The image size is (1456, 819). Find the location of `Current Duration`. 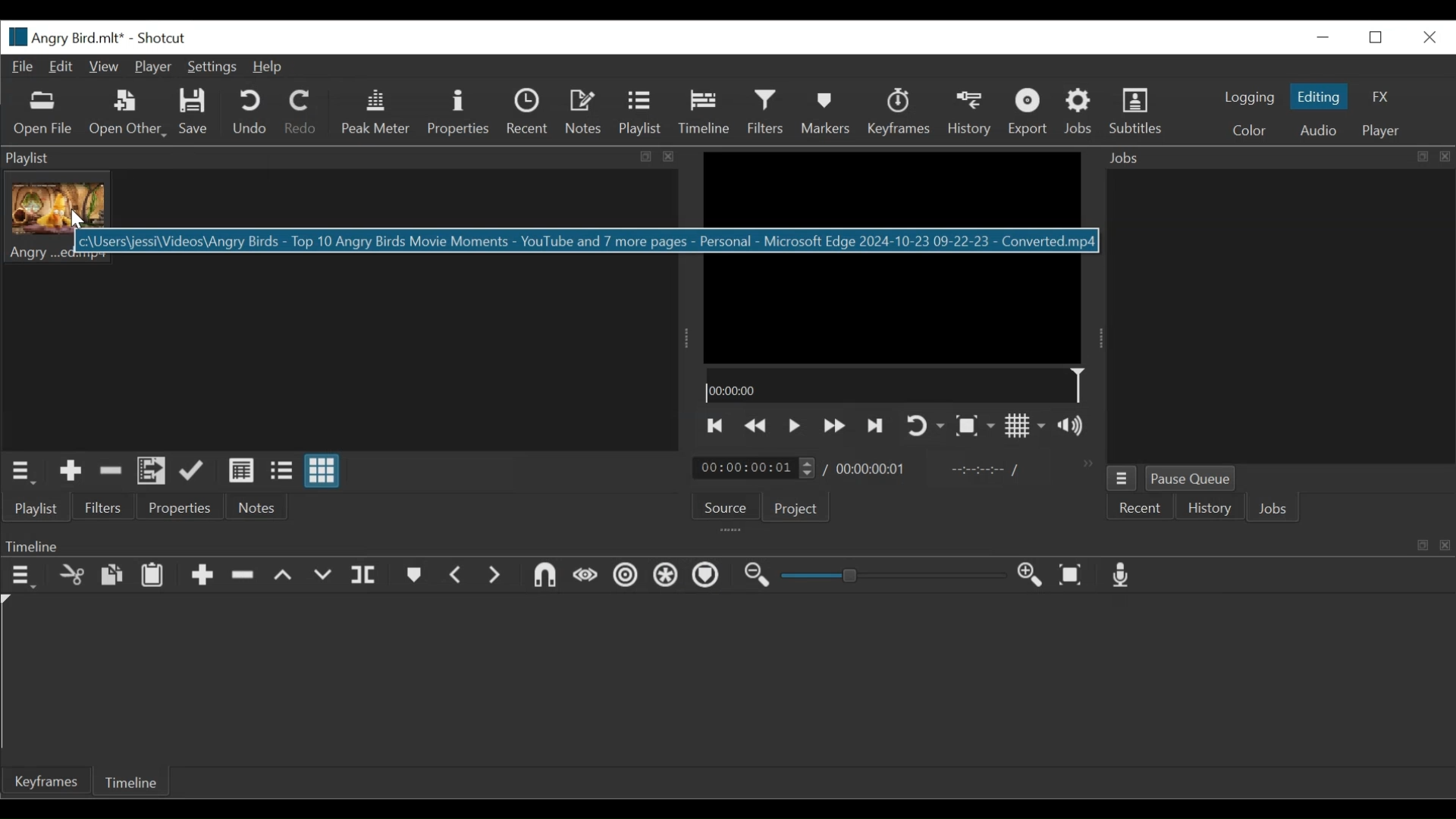

Current Duration is located at coordinates (755, 466).